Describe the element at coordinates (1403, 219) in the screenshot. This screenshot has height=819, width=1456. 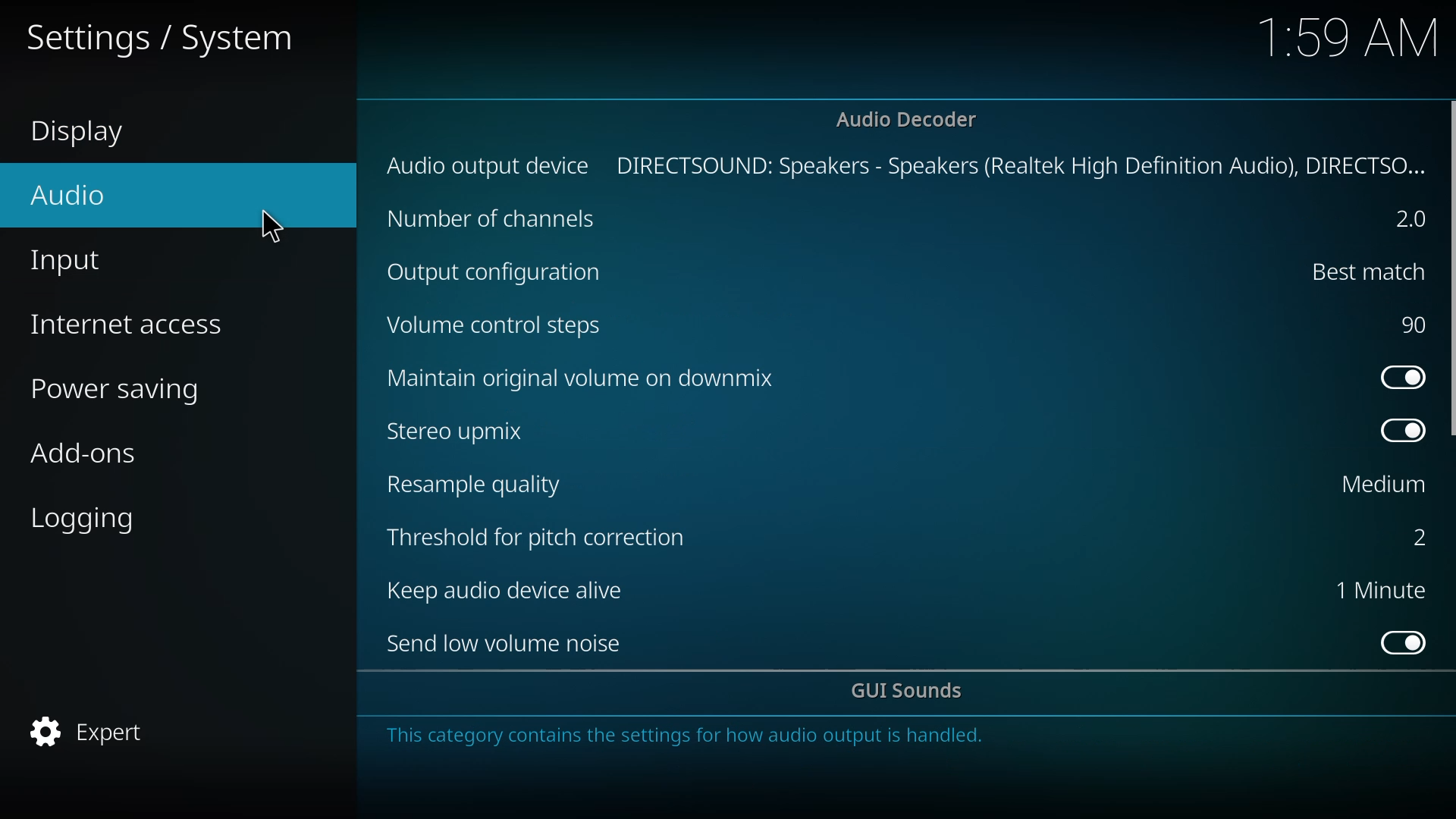
I see `2` at that location.